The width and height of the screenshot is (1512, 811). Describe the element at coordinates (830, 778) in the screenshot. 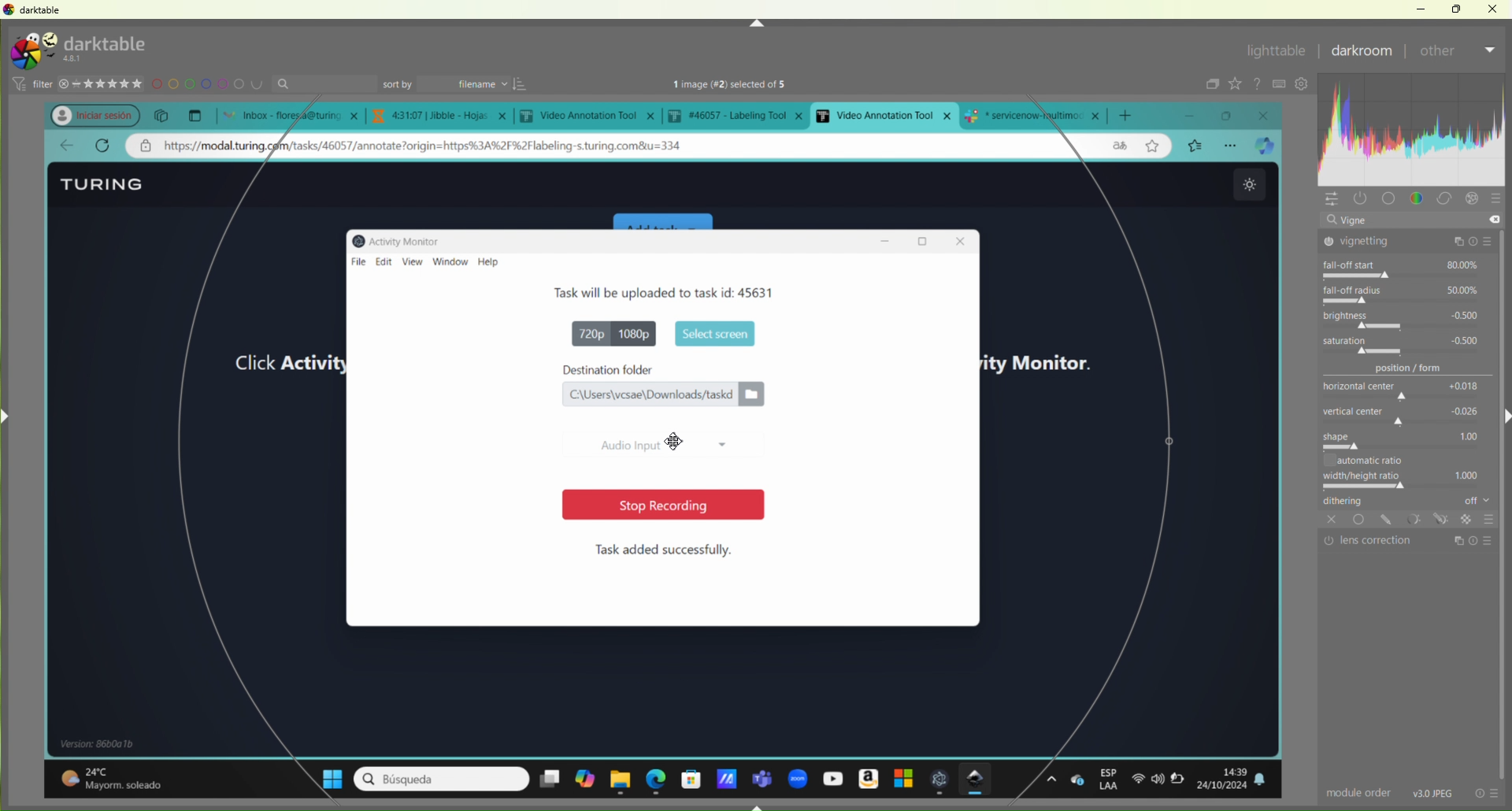

I see `youtube` at that location.